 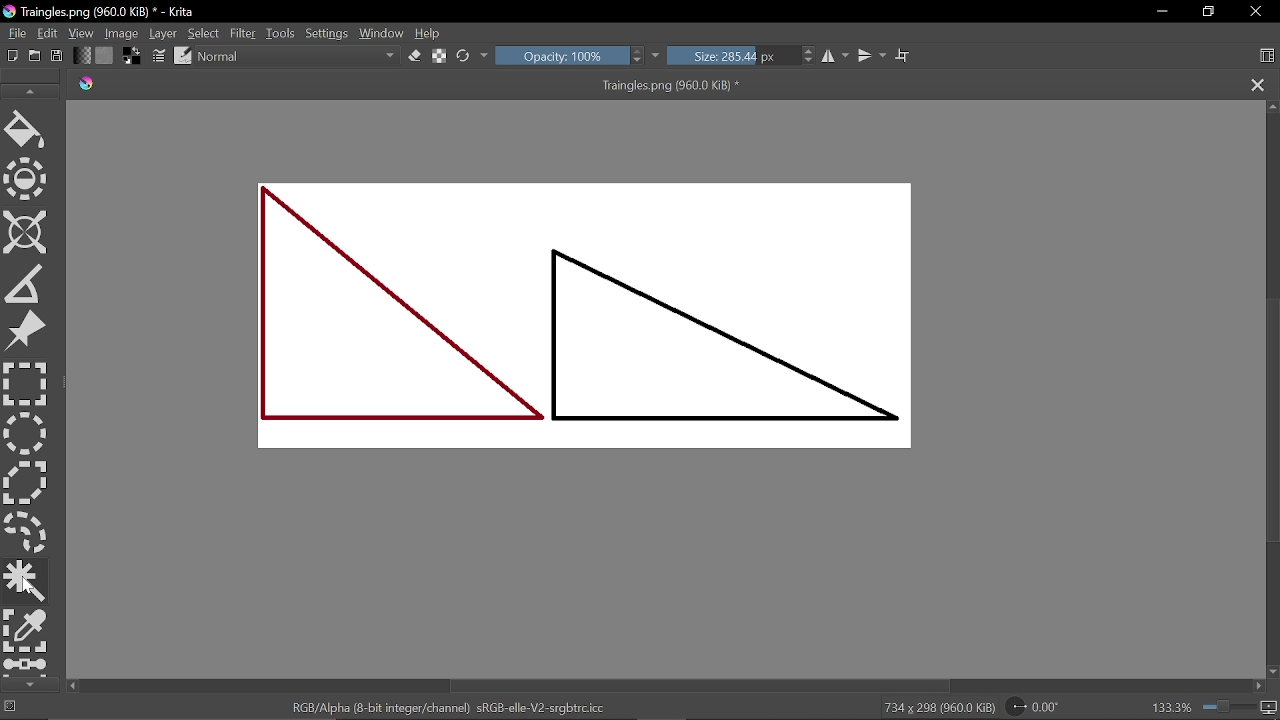 What do you see at coordinates (430, 31) in the screenshot?
I see `Help` at bounding box center [430, 31].